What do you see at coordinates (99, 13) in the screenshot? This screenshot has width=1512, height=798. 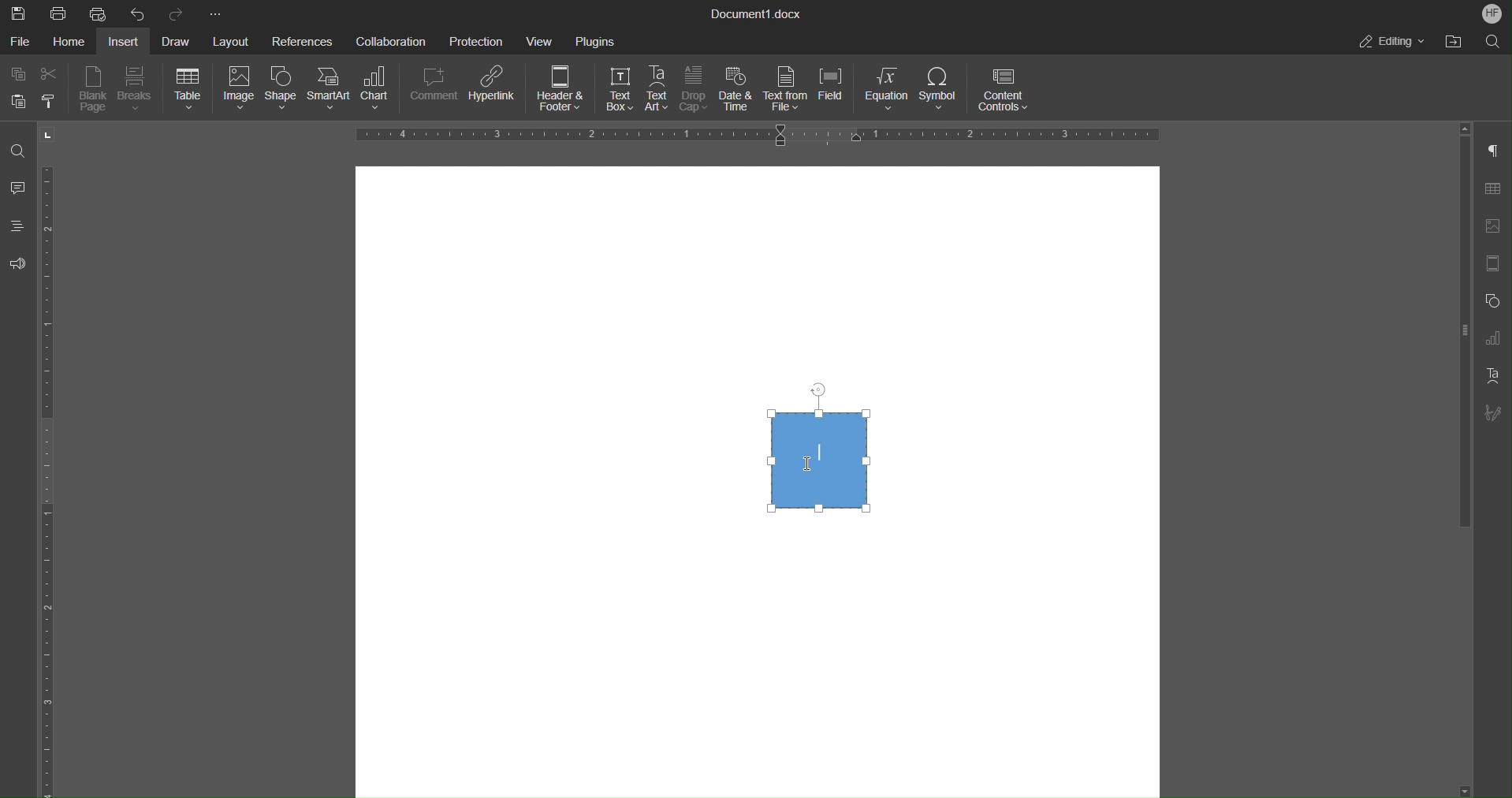 I see `Quick Print` at bounding box center [99, 13].